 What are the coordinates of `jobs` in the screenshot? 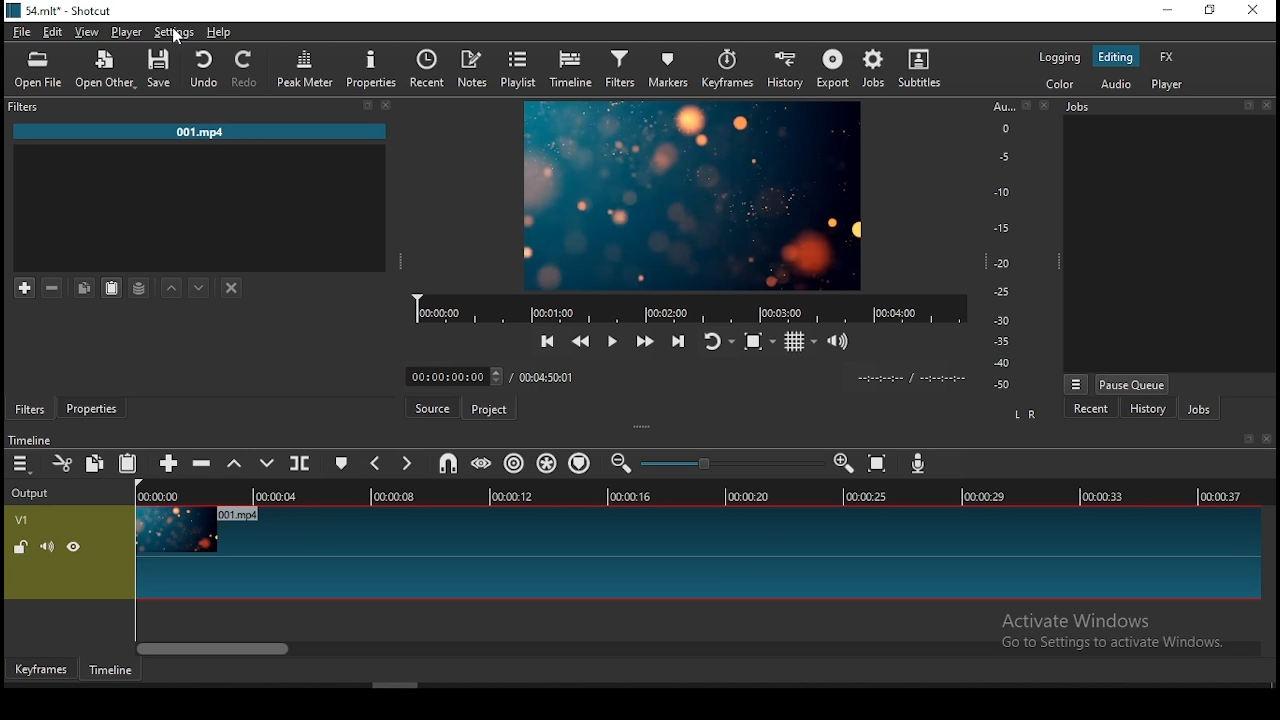 It's located at (1199, 410).